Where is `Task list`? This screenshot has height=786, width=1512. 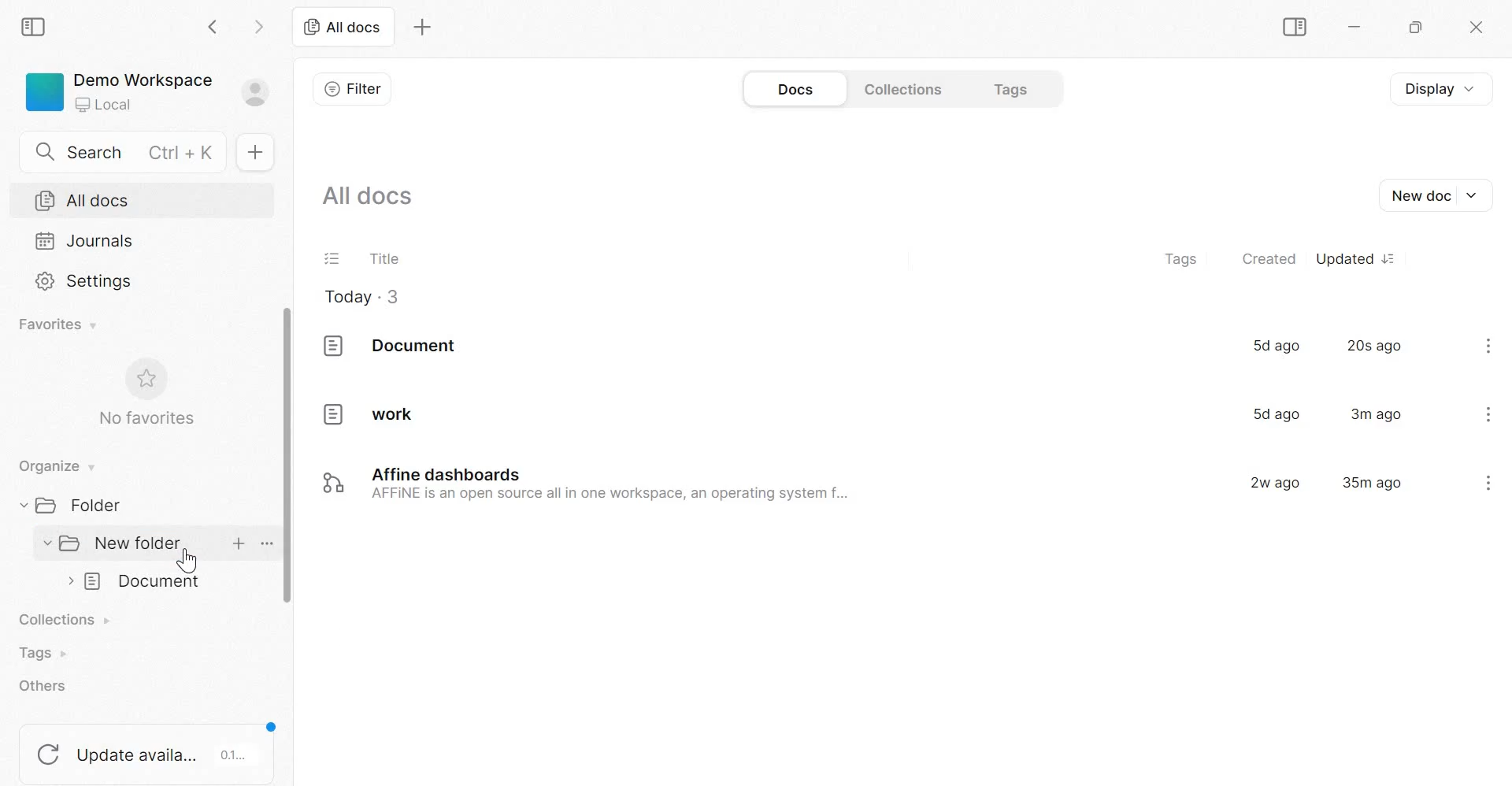
Task list is located at coordinates (332, 257).